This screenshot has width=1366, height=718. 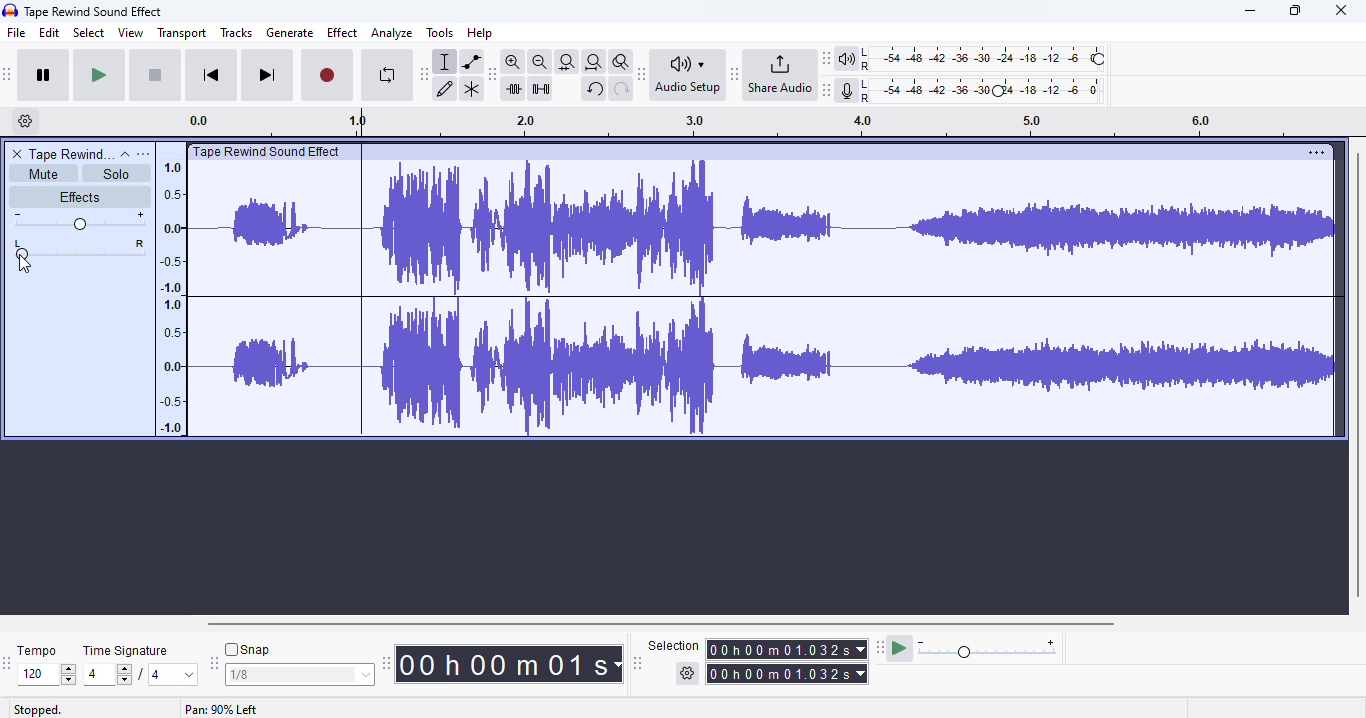 I want to click on maximize, so click(x=1294, y=11).